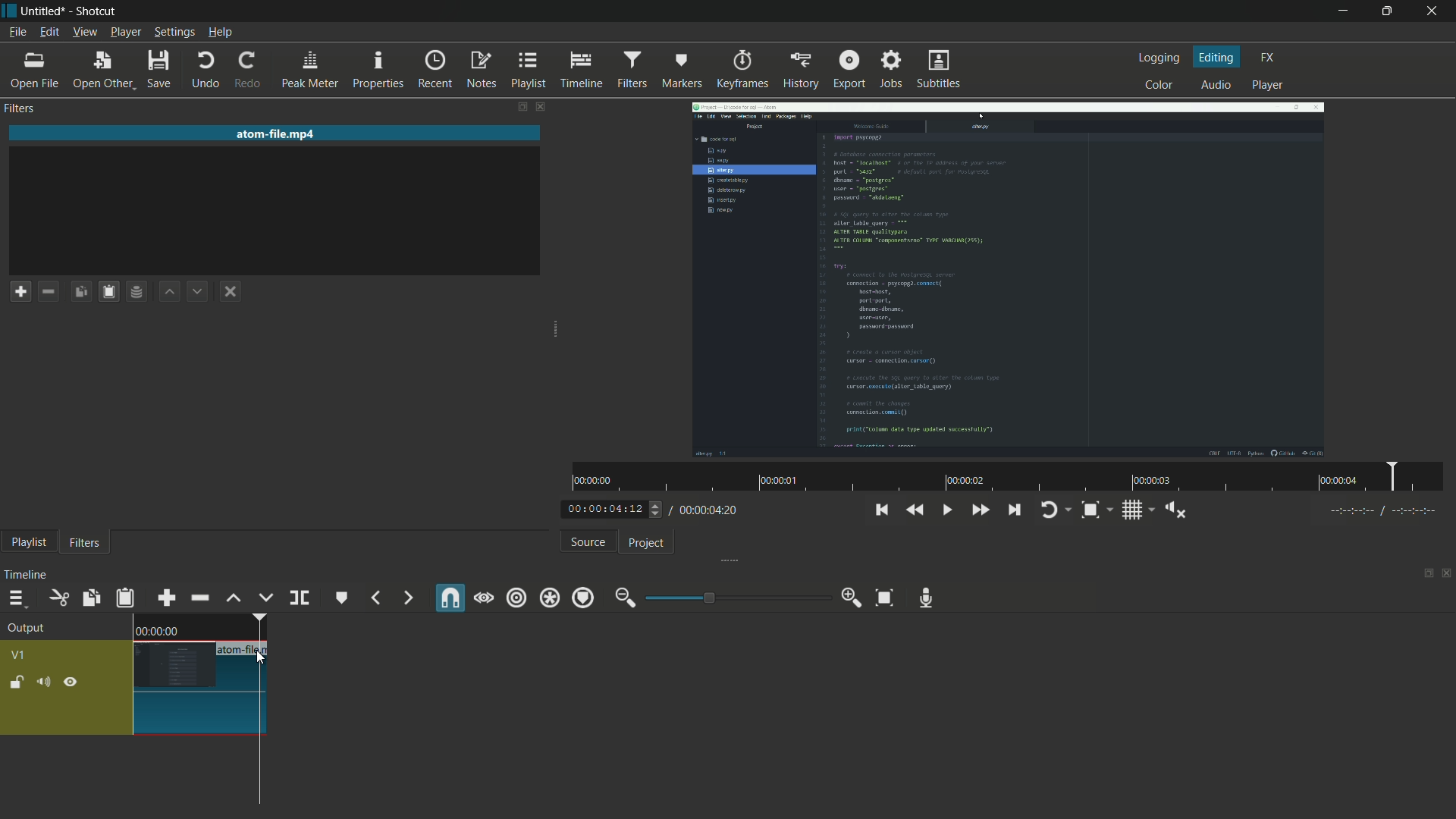  I want to click on ripple delete, so click(198, 598).